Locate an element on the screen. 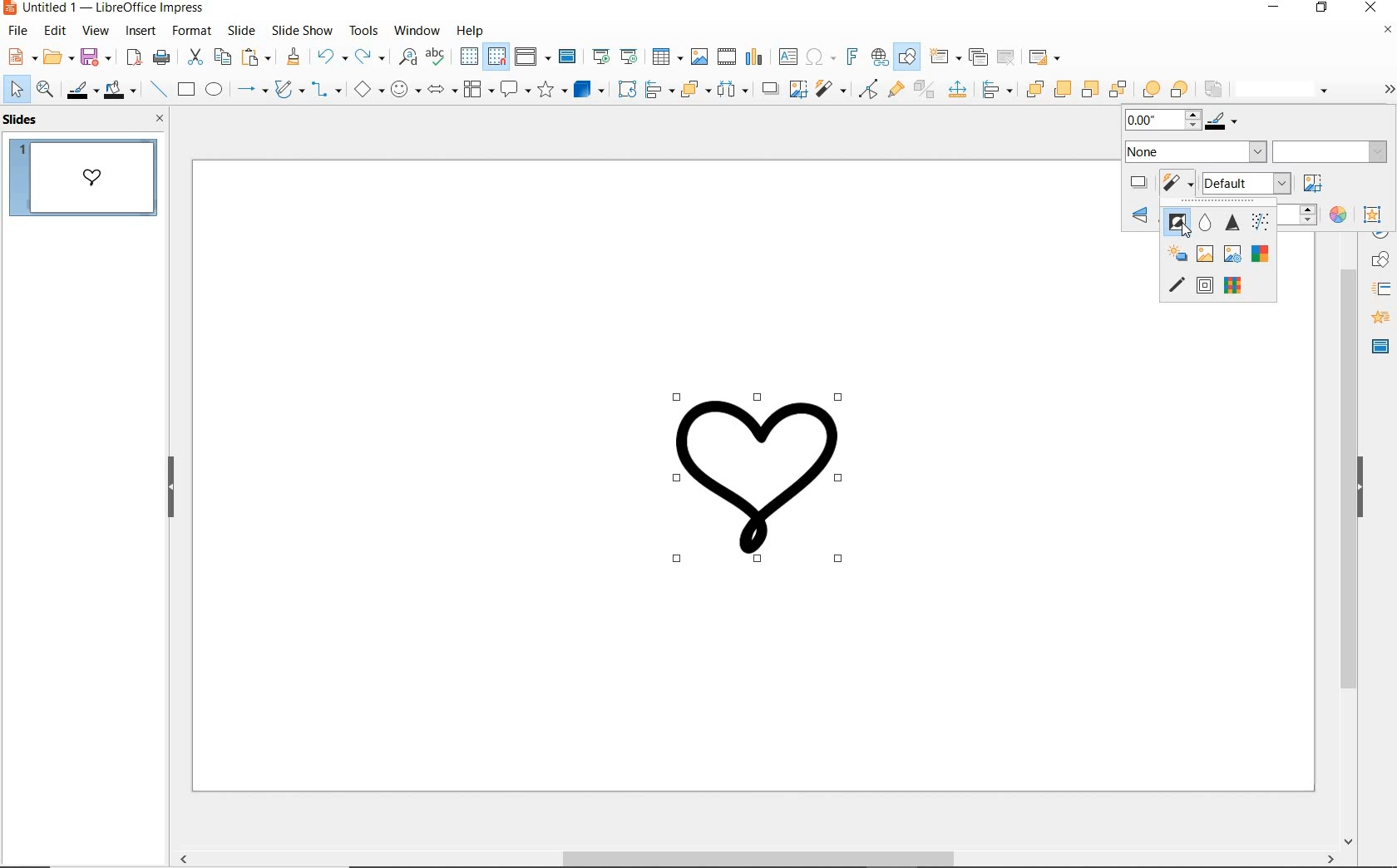 This screenshot has height=868, width=1397.  is located at coordinates (957, 90).